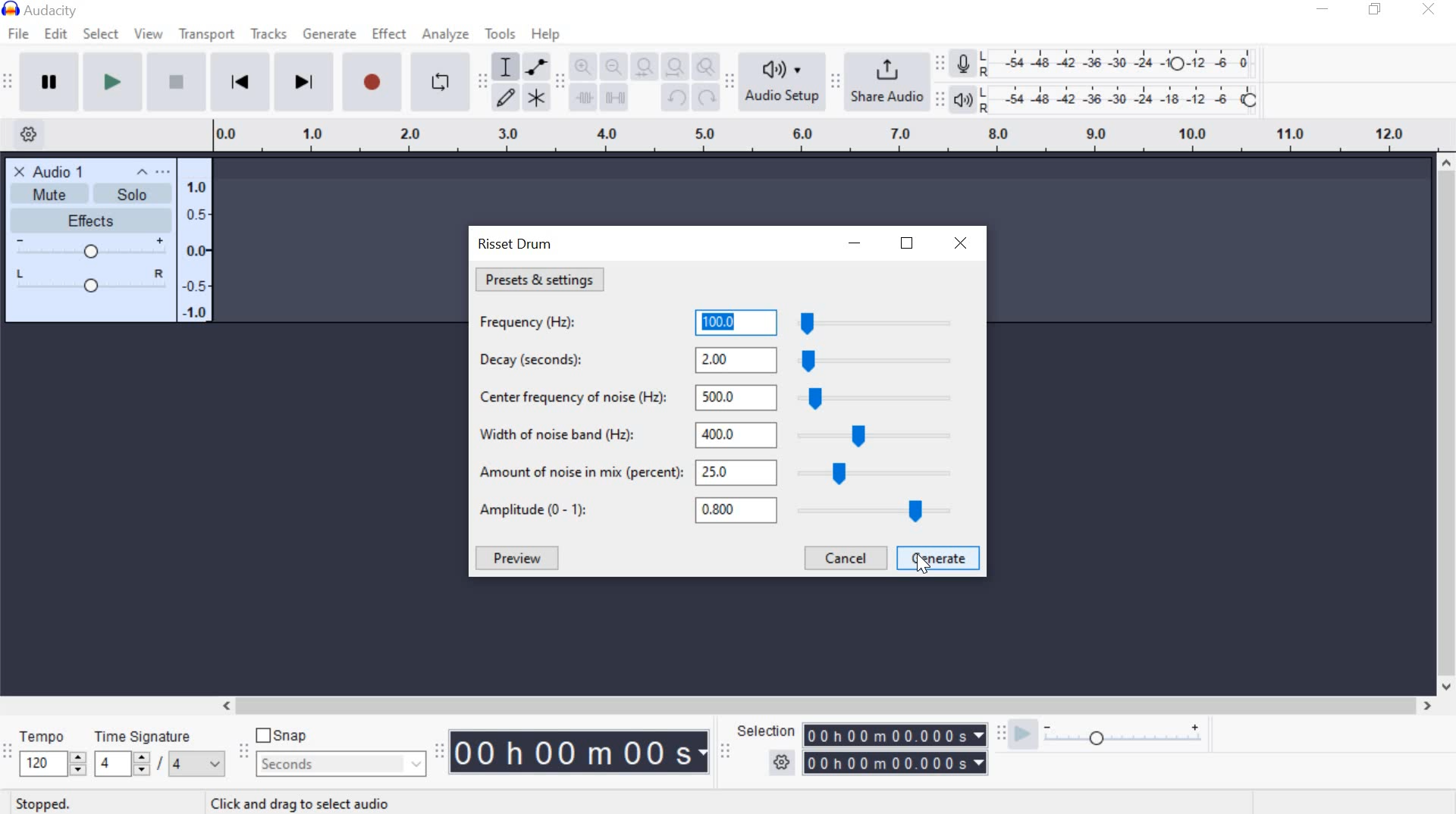 The image size is (1456, 814). Describe the element at coordinates (613, 98) in the screenshot. I see `silence audio selection` at that location.